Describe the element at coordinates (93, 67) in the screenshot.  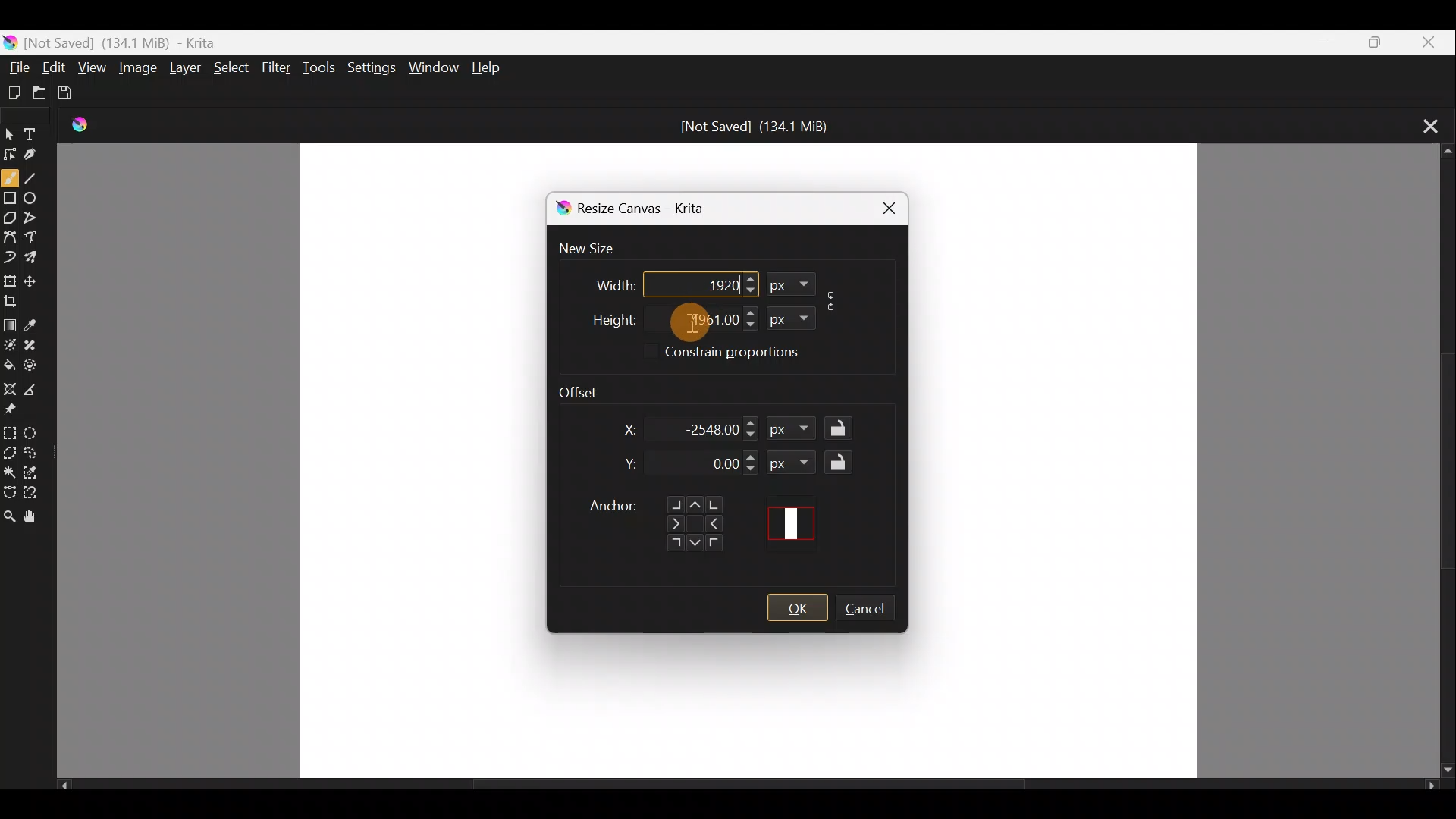
I see `View` at that location.